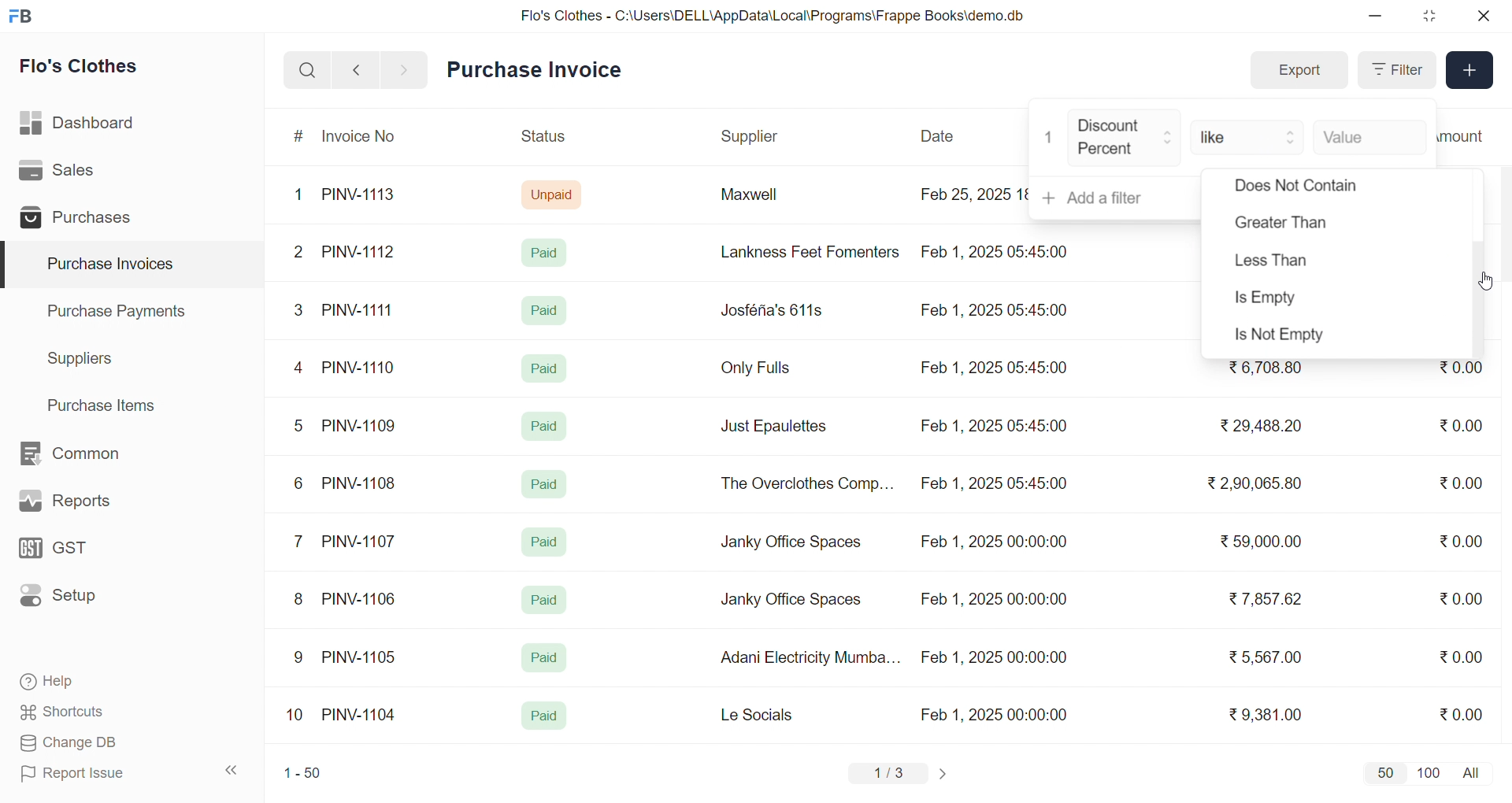 The height and width of the screenshot is (803, 1512). I want to click on PINV-1104, so click(361, 715).